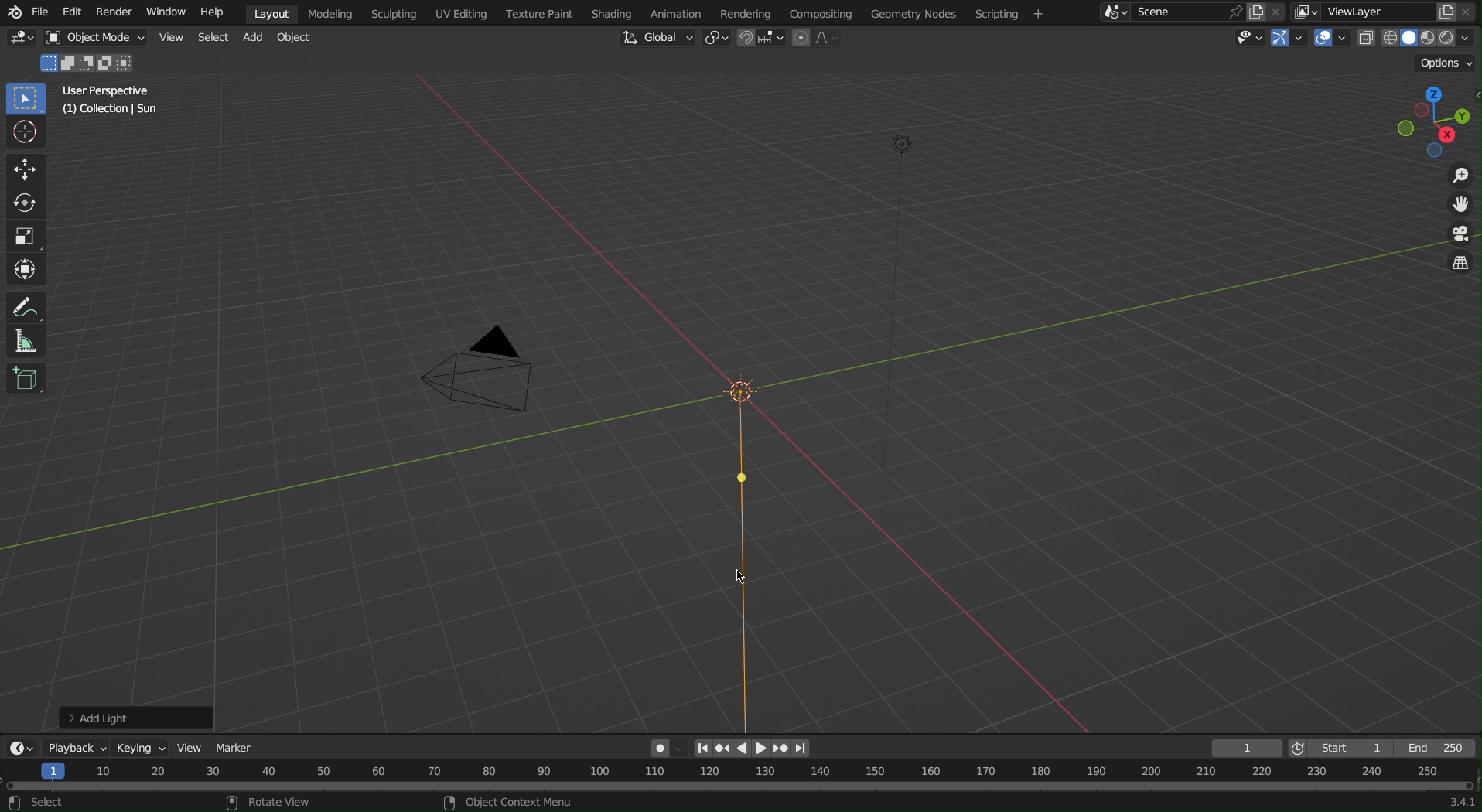 The image size is (1482, 812). Describe the element at coordinates (740, 747) in the screenshot. I see `pause` at that location.